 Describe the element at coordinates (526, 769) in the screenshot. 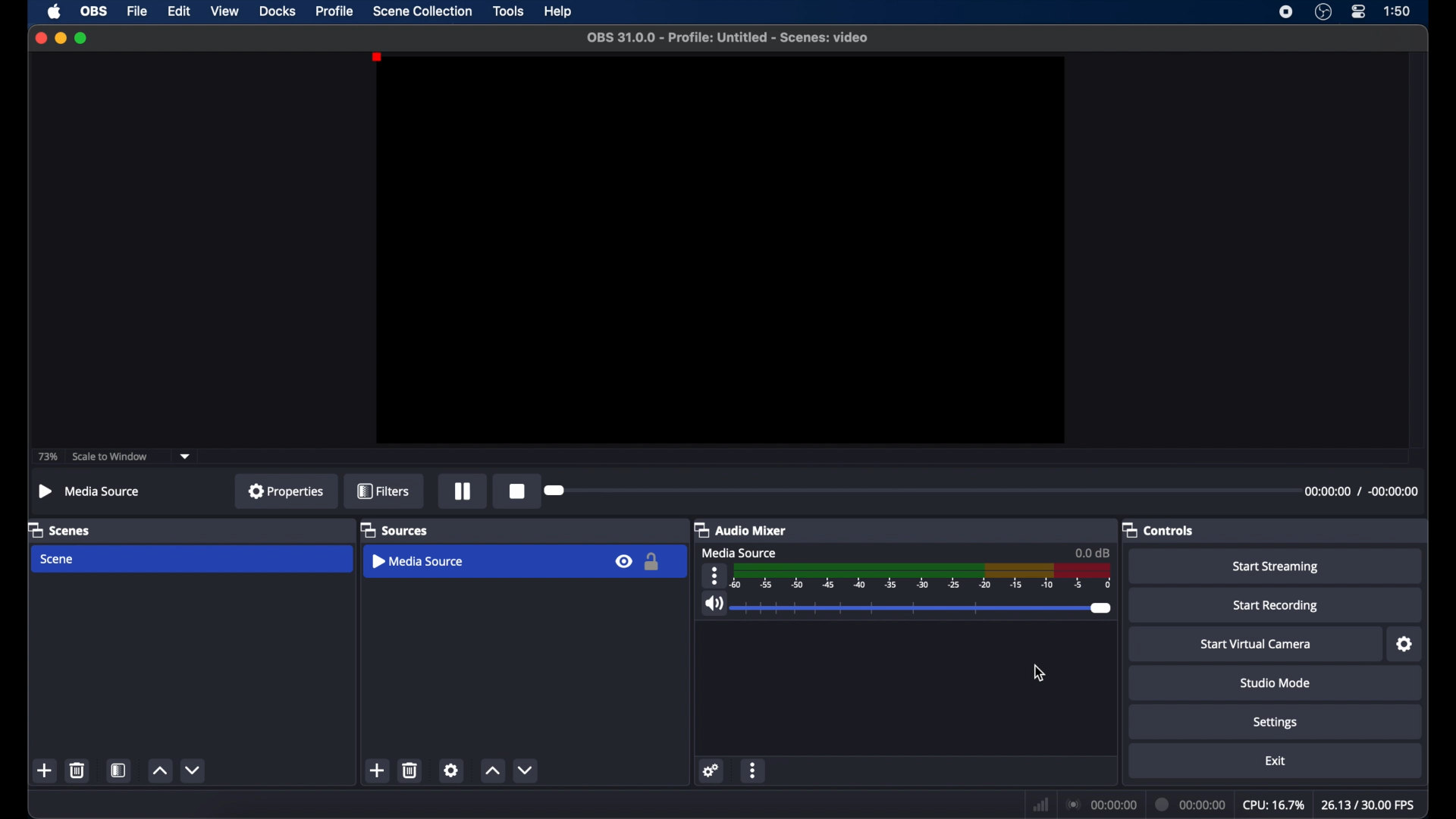

I see `decrement` at that location.